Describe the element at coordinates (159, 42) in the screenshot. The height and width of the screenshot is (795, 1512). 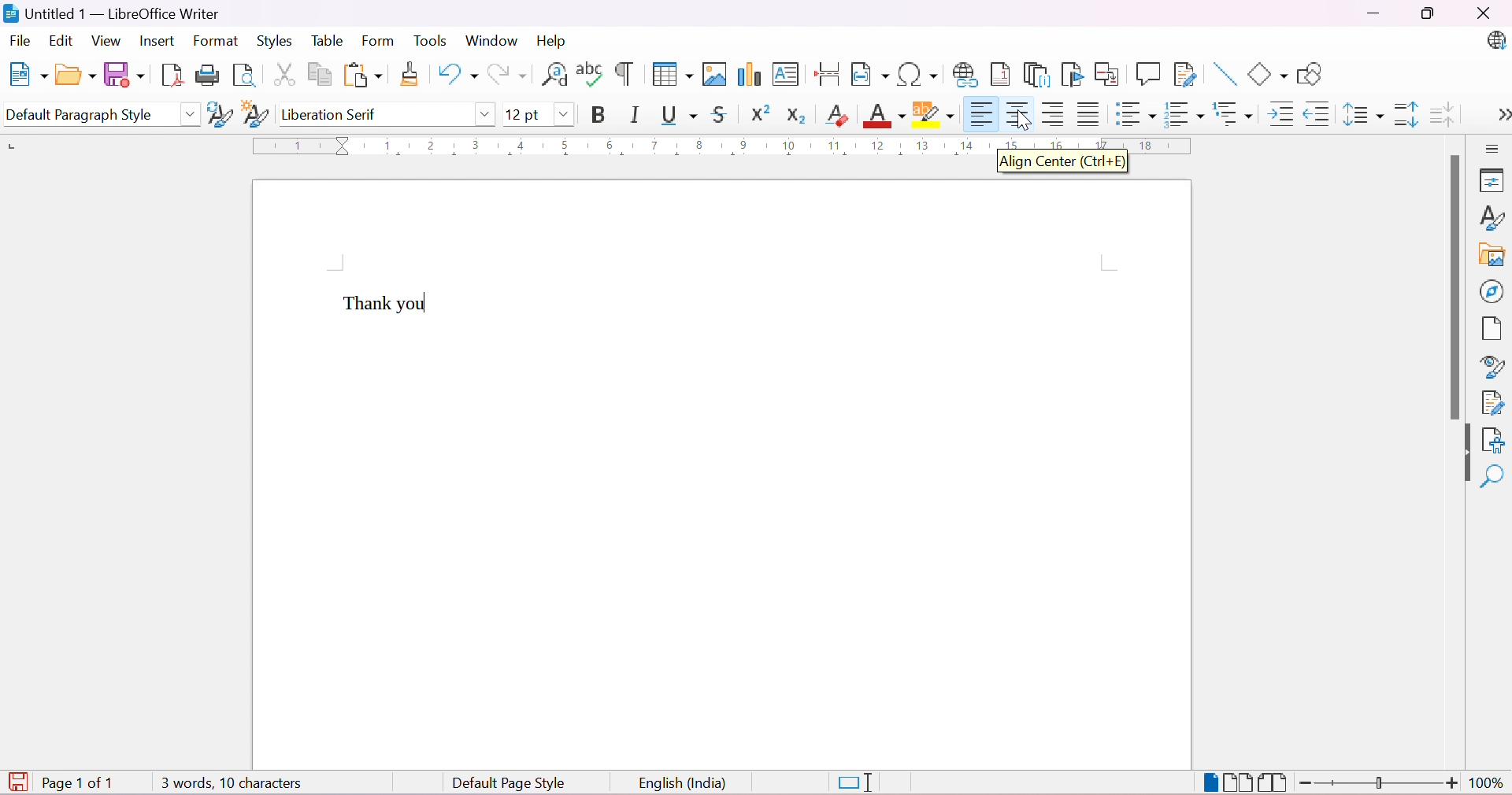
I see `Insert` at that location.